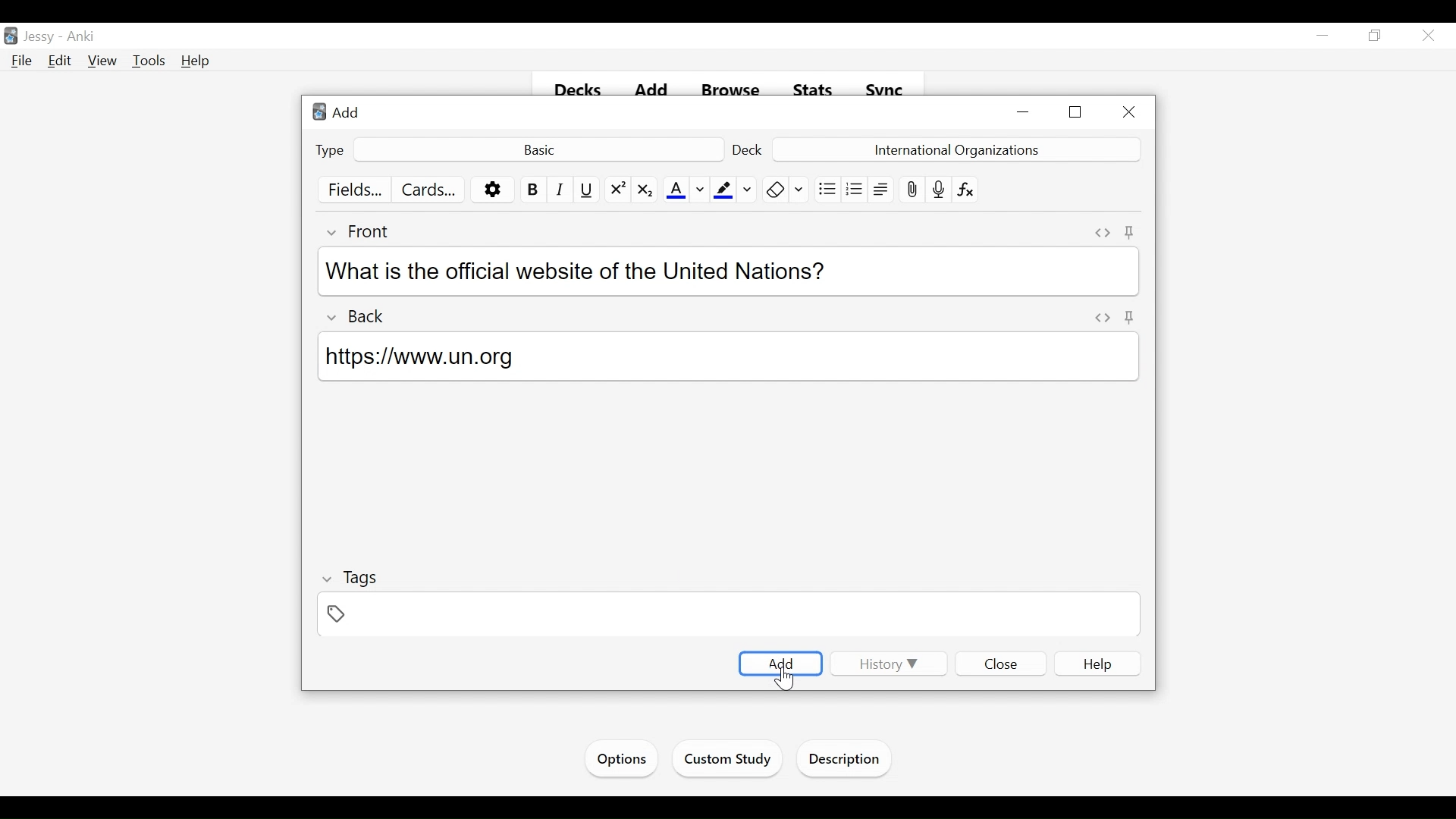 The height and width of the screenshot is (819, 1456). I want to click on Deck Name, so click(955, 149).